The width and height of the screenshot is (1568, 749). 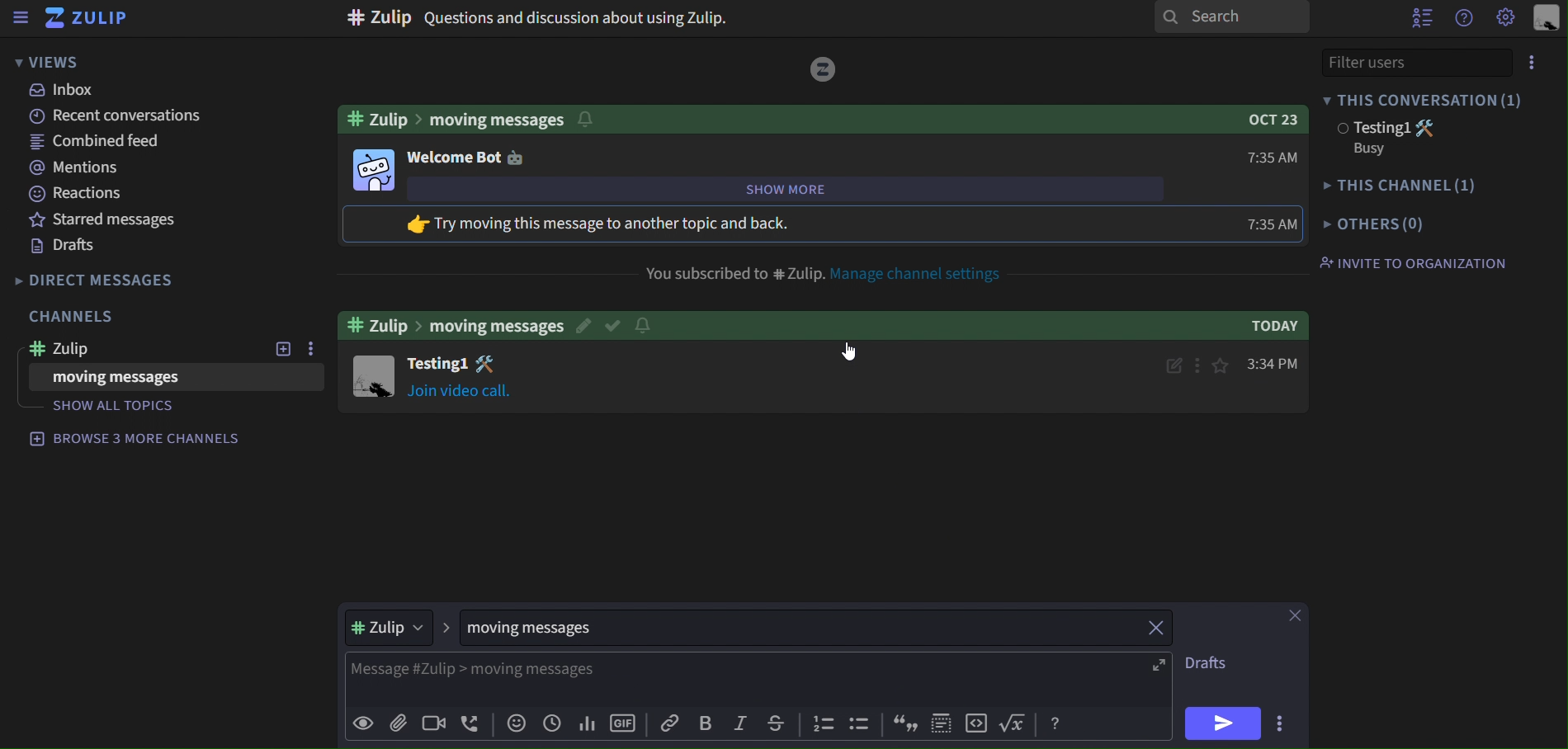 What do you see at coordinates (78, 195) in the screenshot?
I see `reactions` at bounding box center [78, 195].